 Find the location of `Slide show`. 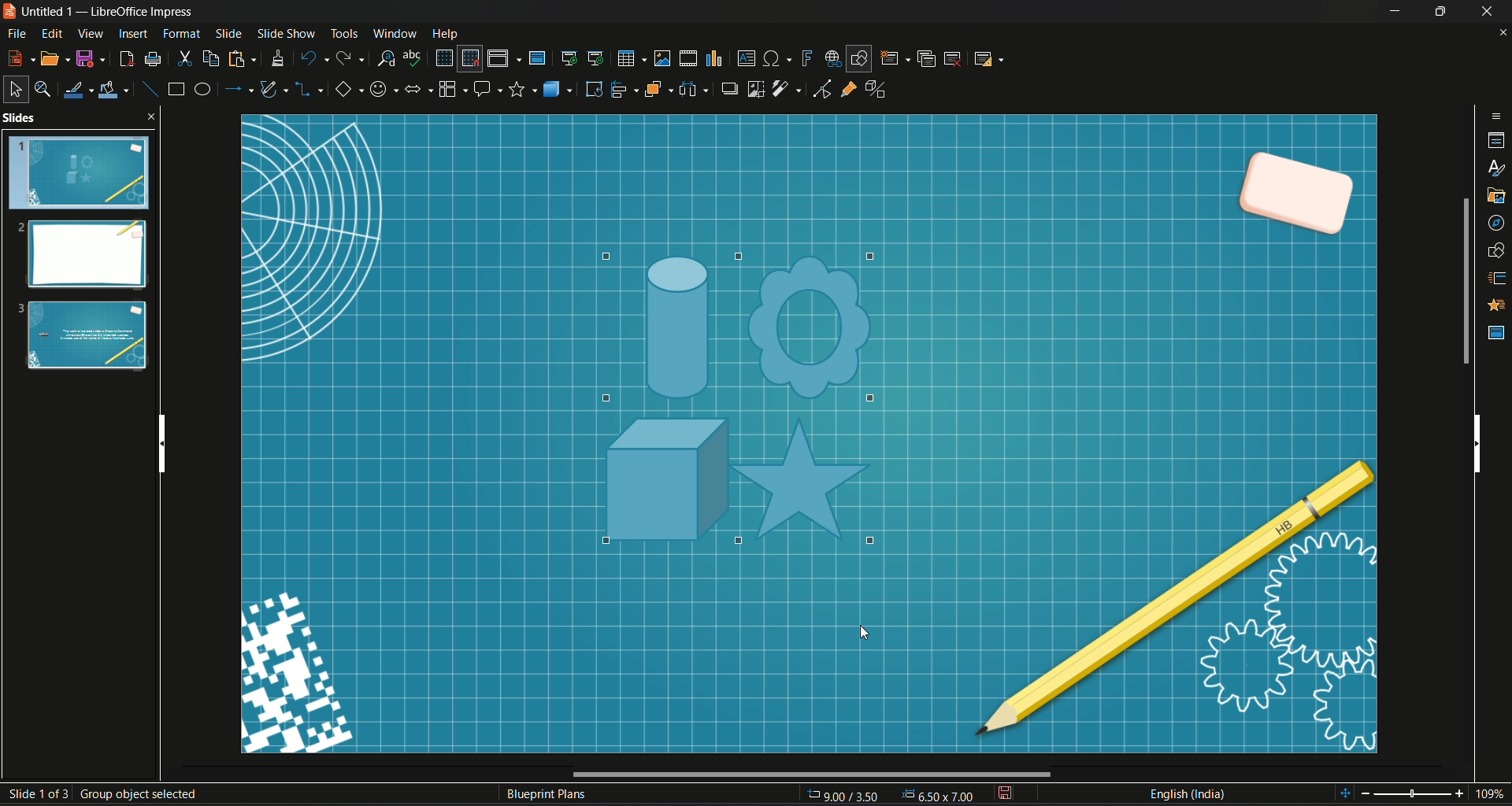

Slide show is located at coordinates (285, 31).